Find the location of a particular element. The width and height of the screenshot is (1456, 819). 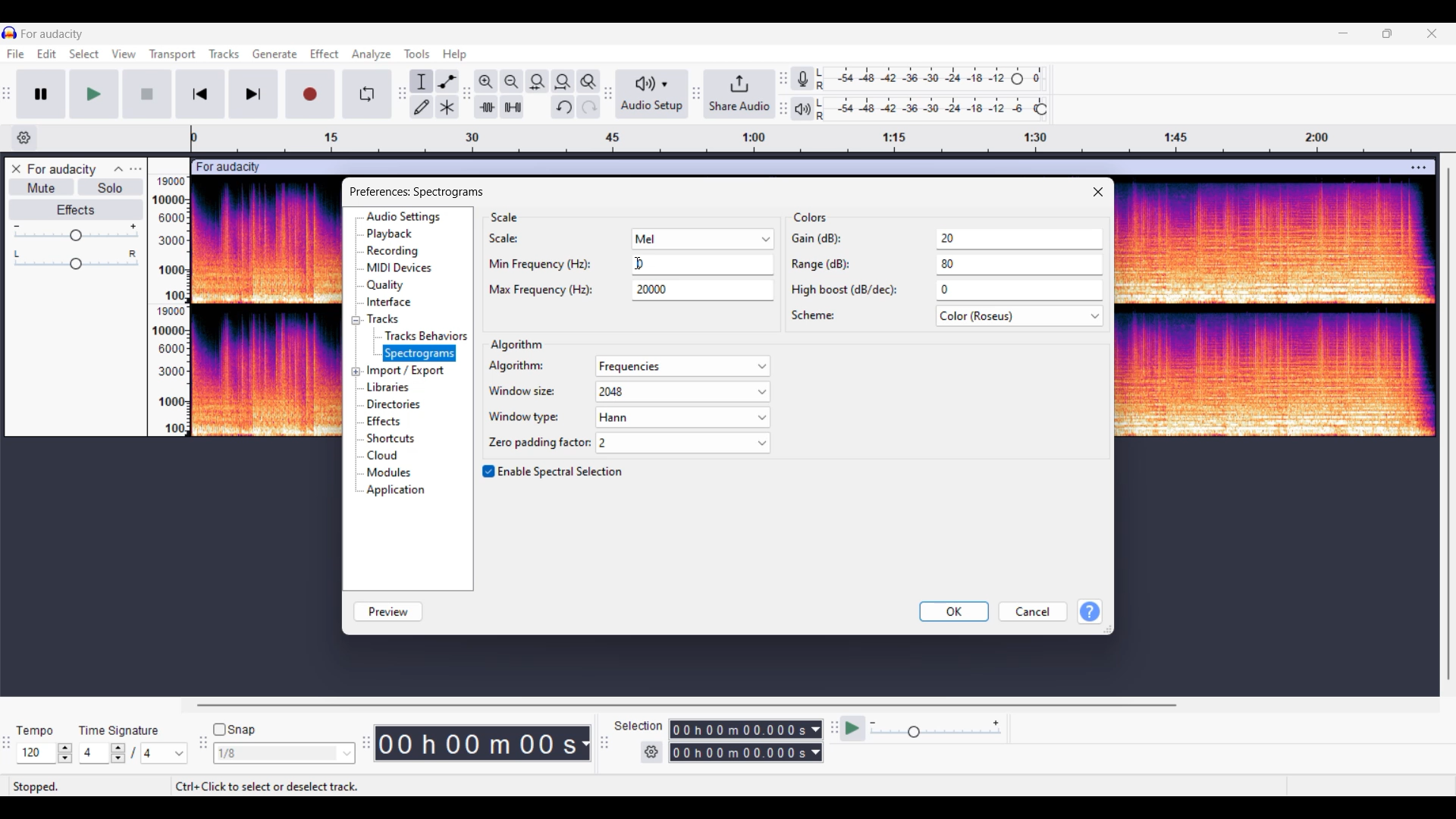

Selection tool is located at coordinates (422, 82).